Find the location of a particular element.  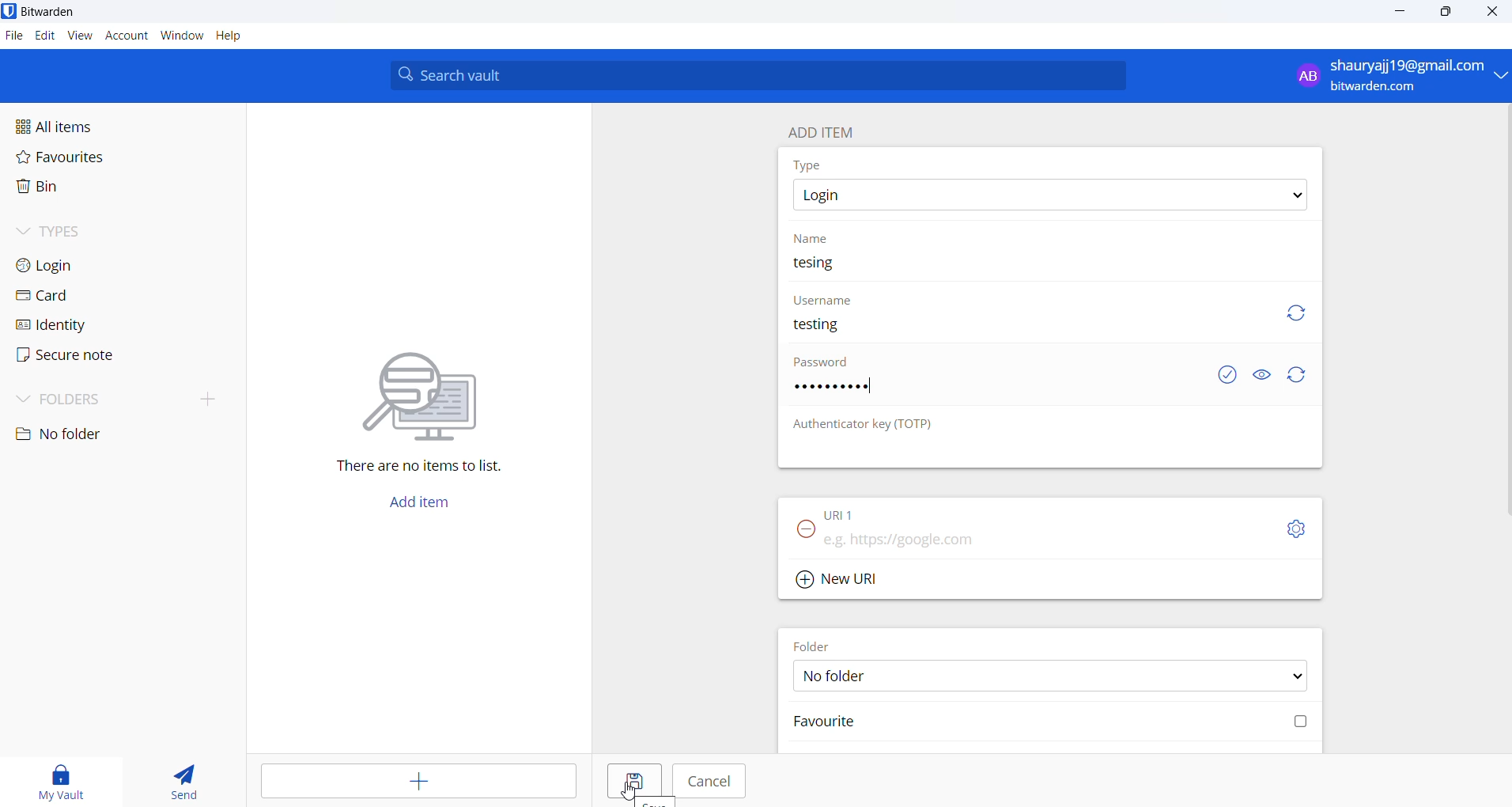

Cancel is located at coordinates (710, 781).